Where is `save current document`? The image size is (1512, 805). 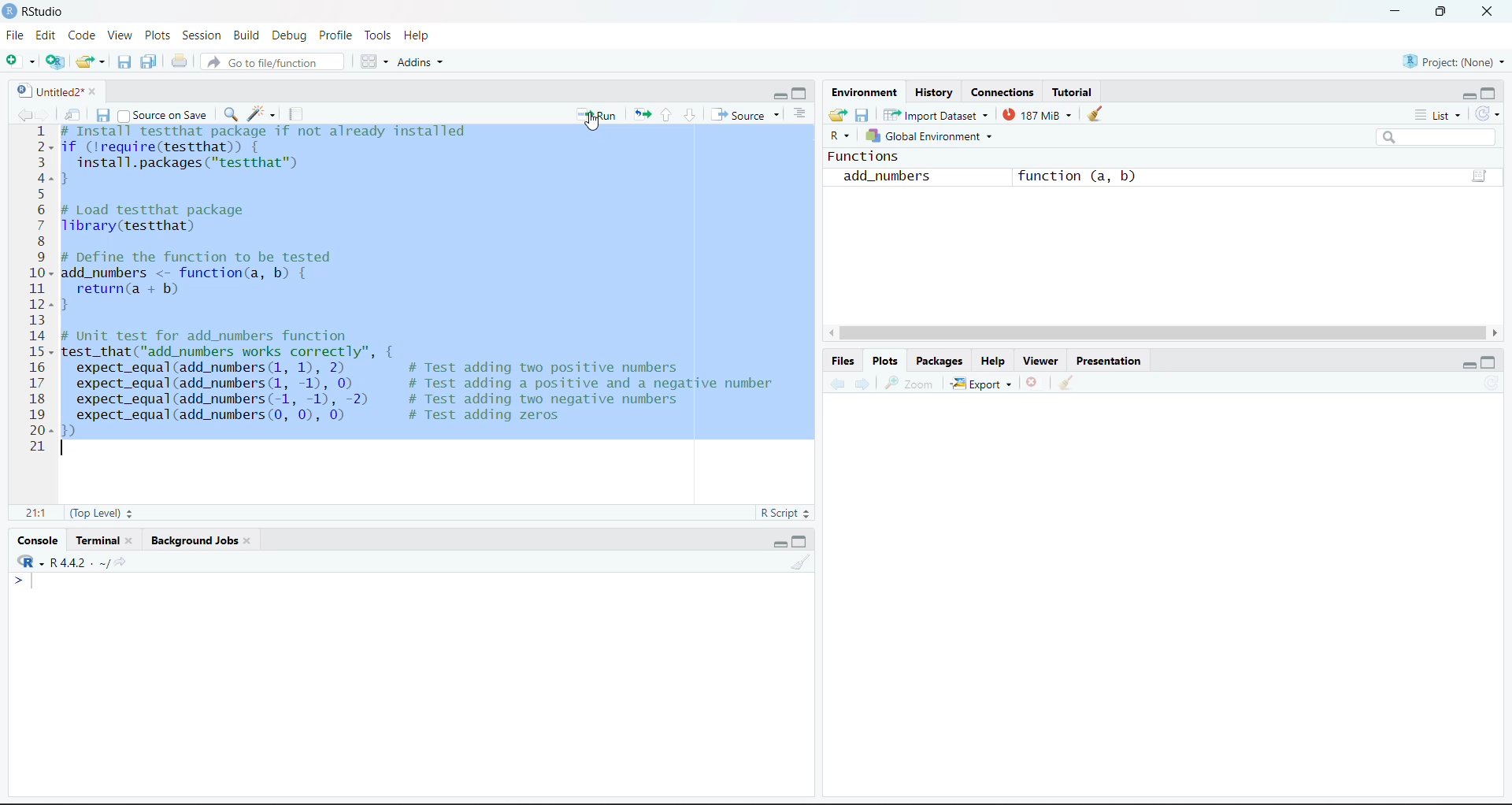 save current document is located at coordinates (105, 116).